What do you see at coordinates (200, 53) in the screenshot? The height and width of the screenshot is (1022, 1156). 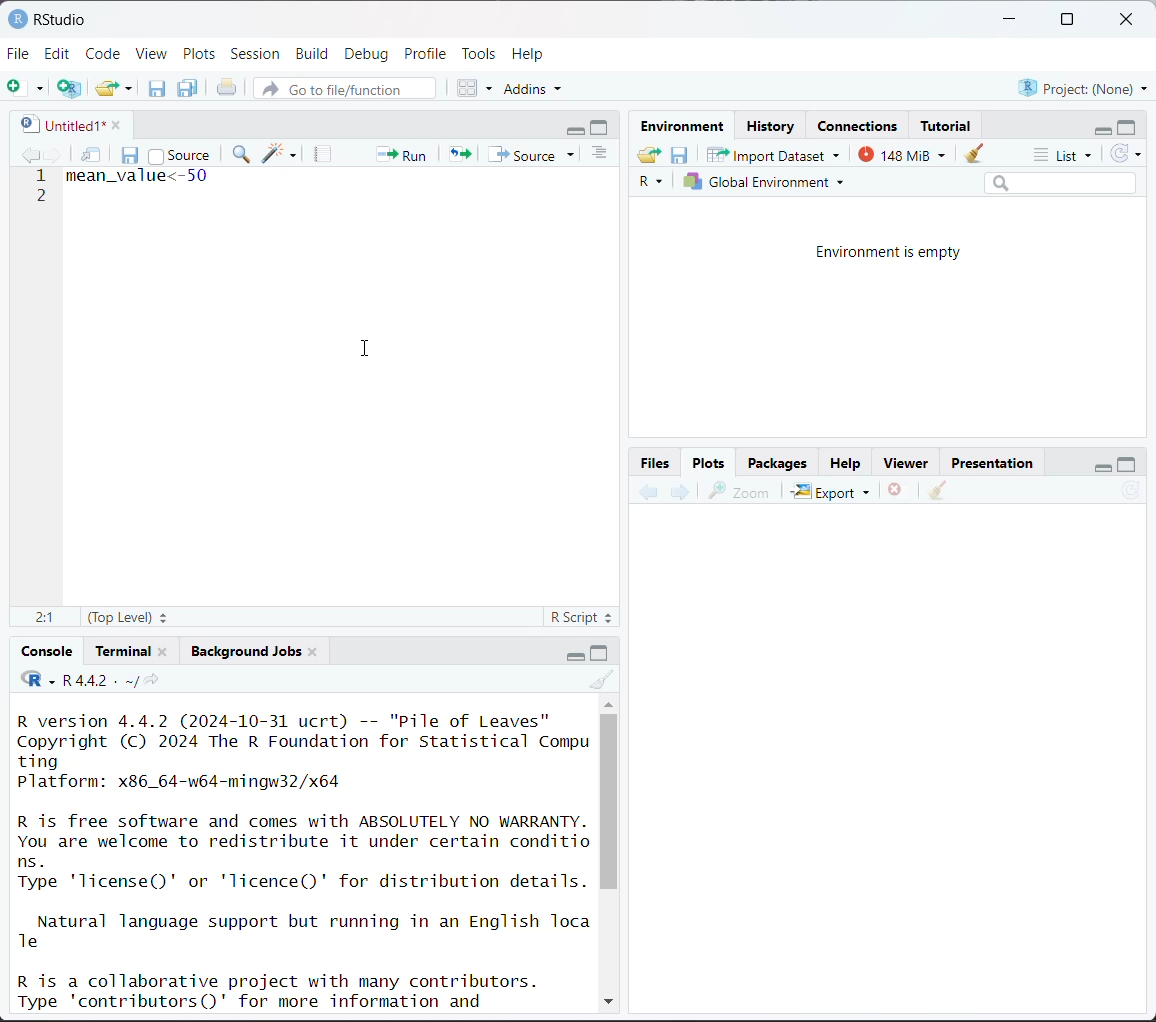 I see `Plots` at bounding box center [200, 53].